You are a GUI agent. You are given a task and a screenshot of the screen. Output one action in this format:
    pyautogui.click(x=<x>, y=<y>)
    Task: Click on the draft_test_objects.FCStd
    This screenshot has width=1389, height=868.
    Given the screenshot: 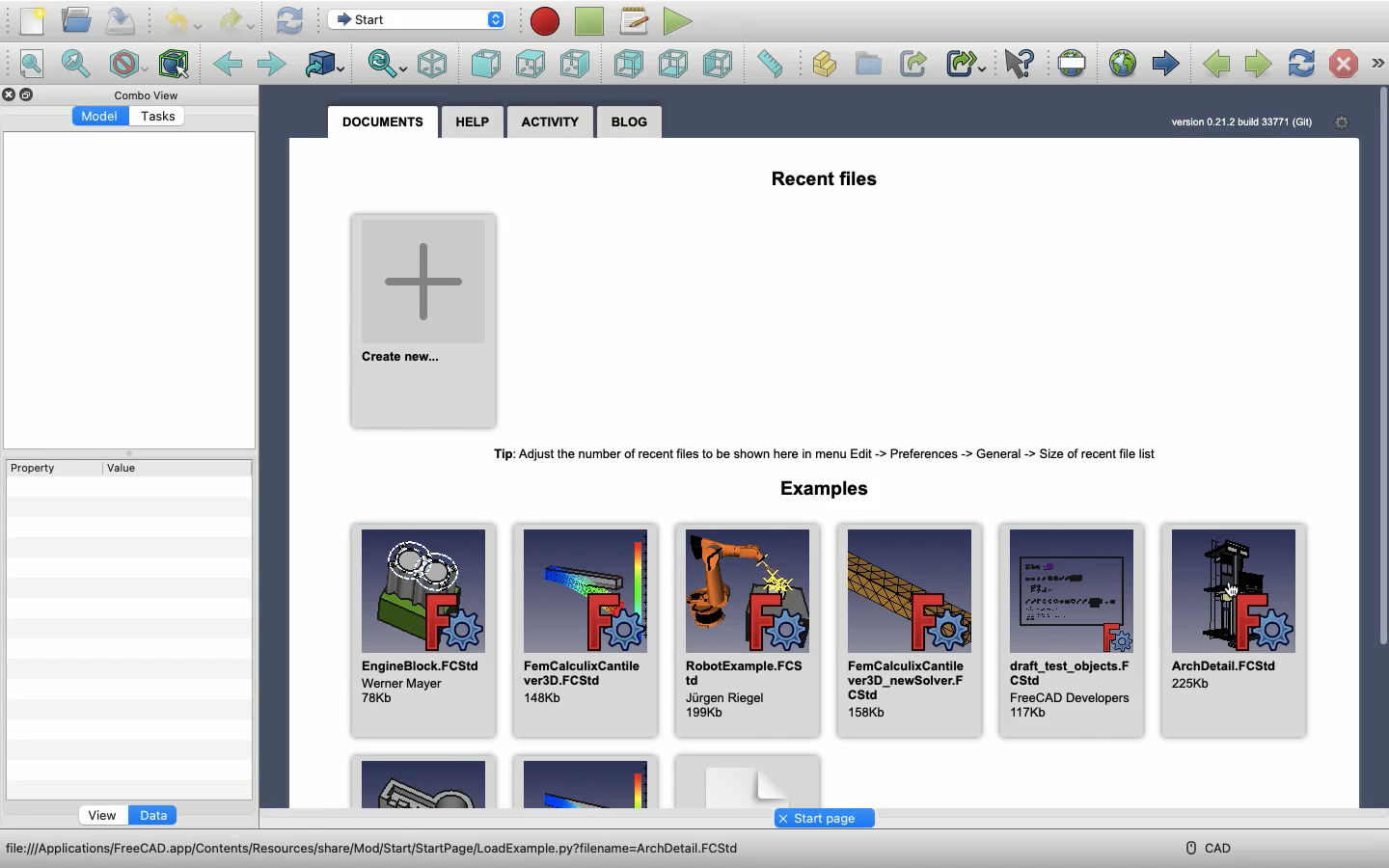 What is the action you would take?
    pyautogui.click(x=1073, y=633)
    